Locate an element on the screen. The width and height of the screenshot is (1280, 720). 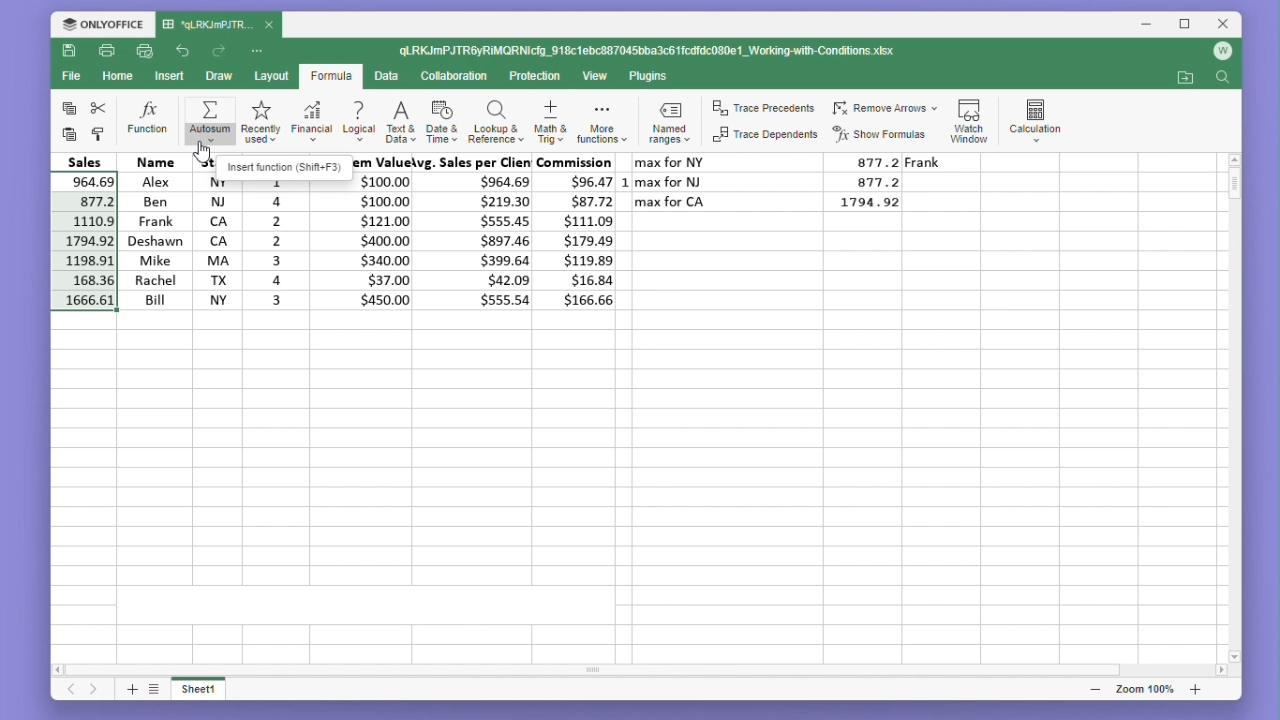
zoom in is located at coordinates (1195, 689).